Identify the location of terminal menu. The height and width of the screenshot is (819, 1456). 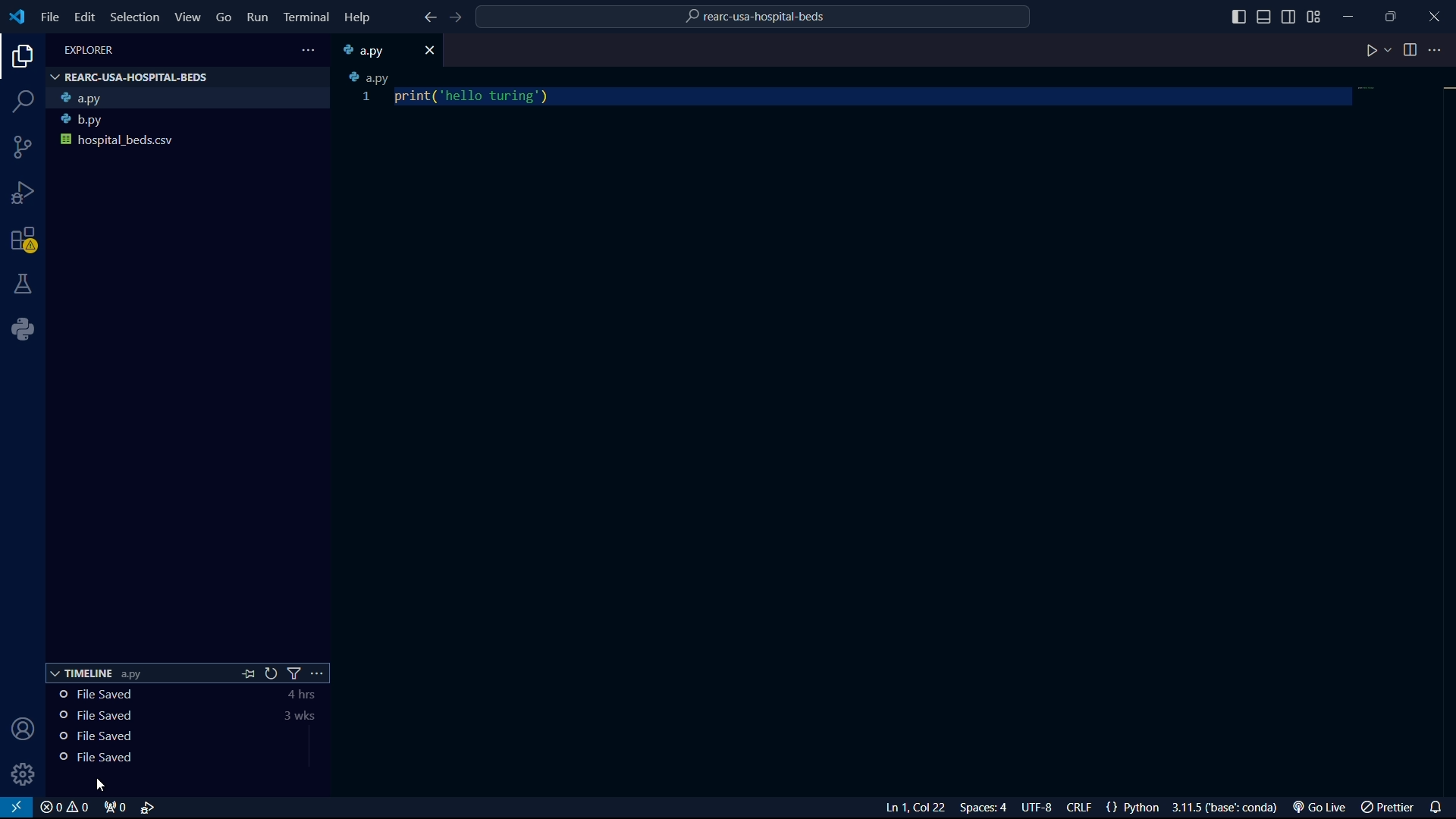
(306, 18).